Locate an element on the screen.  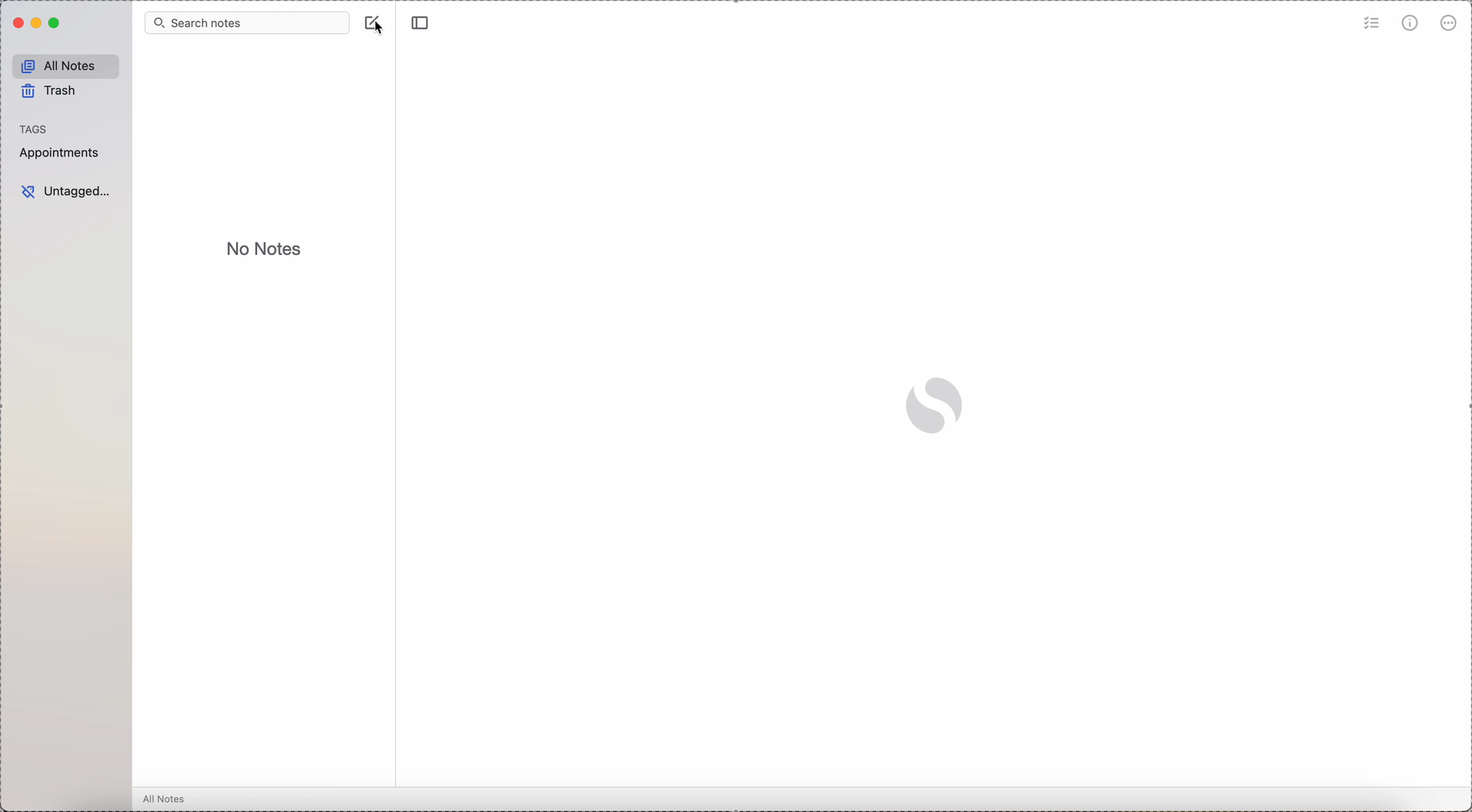
Simplenote logo is located at coordinates (934, 407).